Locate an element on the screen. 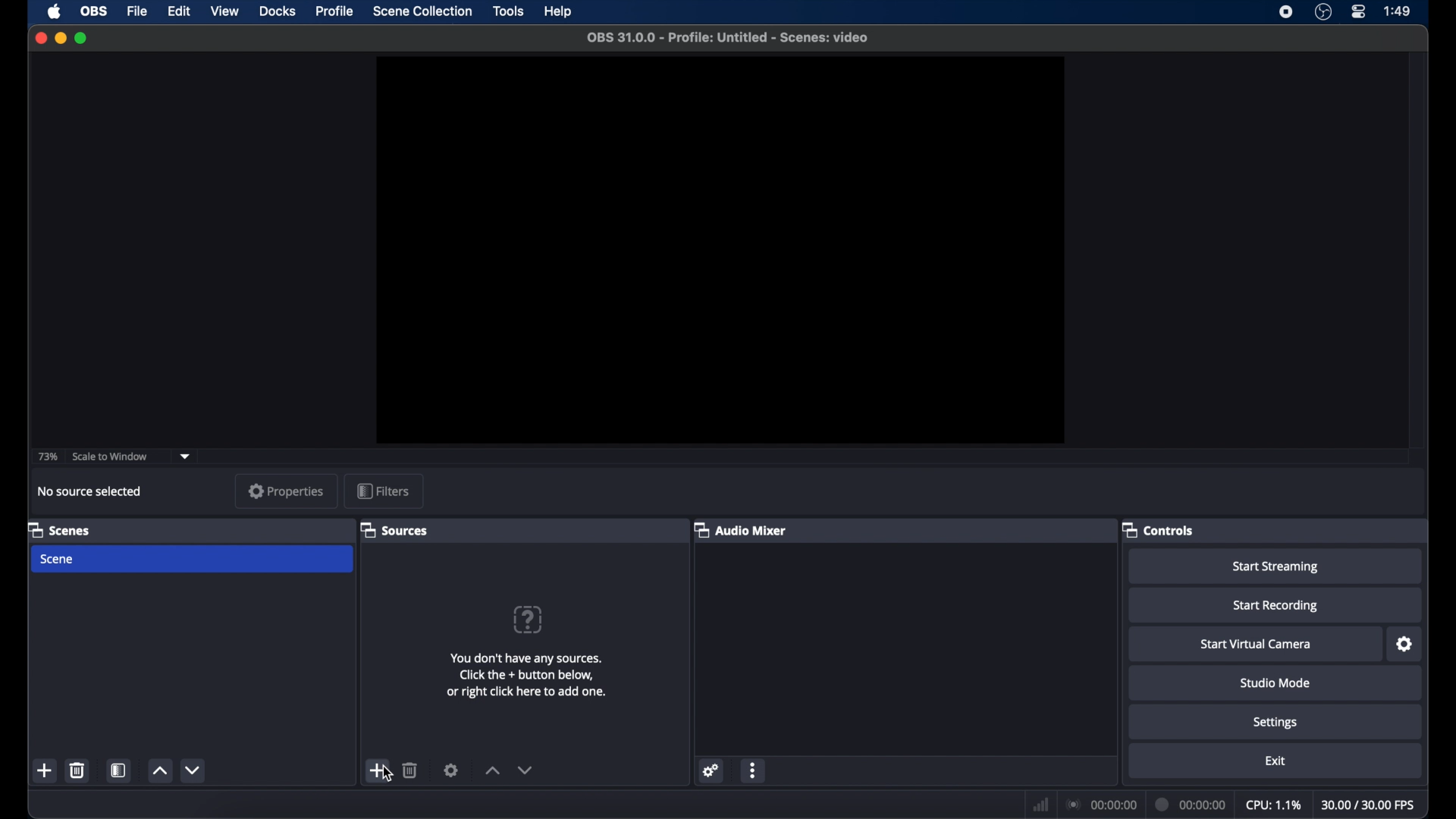  filters is located at coordinates (384, 491).